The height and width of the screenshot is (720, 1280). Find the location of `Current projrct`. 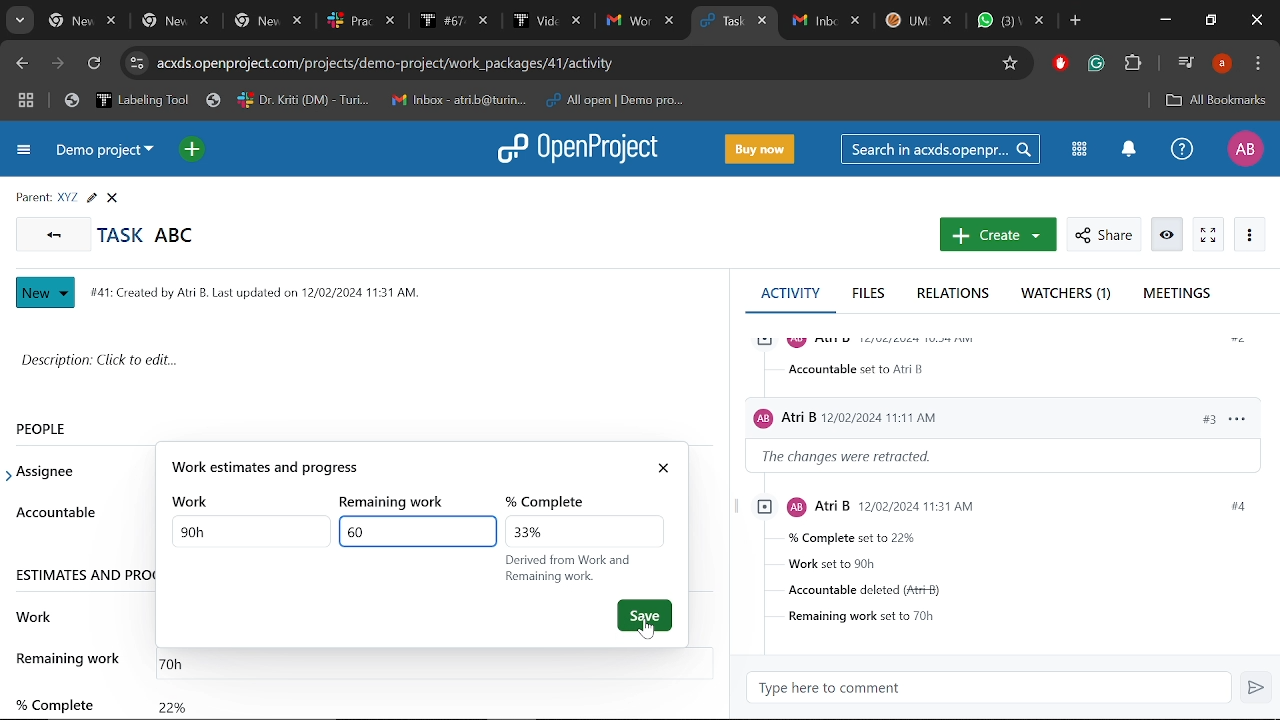

Current projrct is located at coordinates (107, 154).